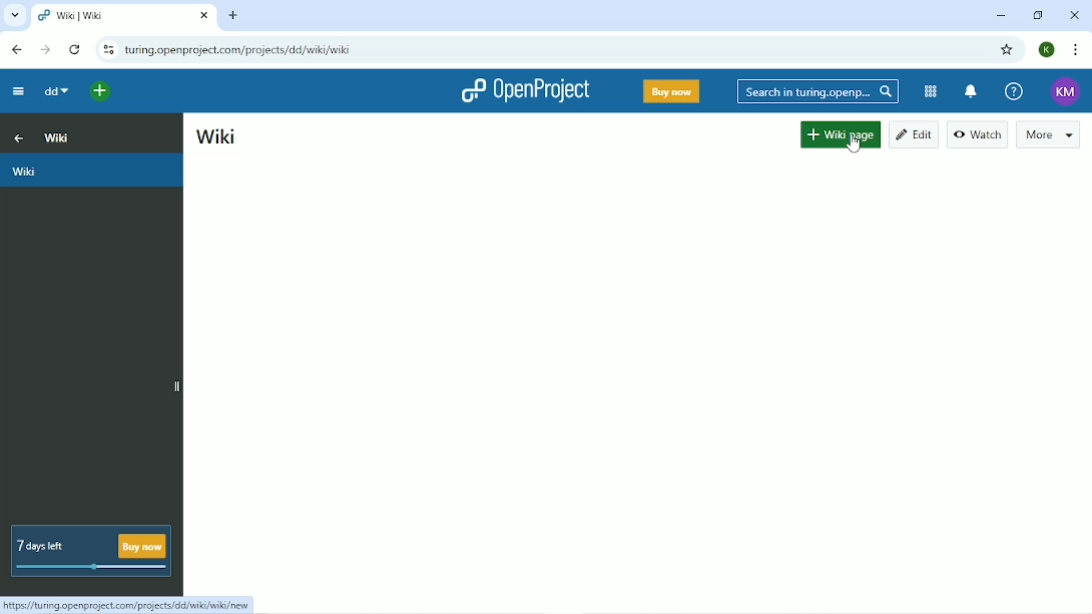 The width and height of the screenshot is (1092, 614). Describe the element at coordinates (1074, 17) in the screenshot. I see `Close` at that location.